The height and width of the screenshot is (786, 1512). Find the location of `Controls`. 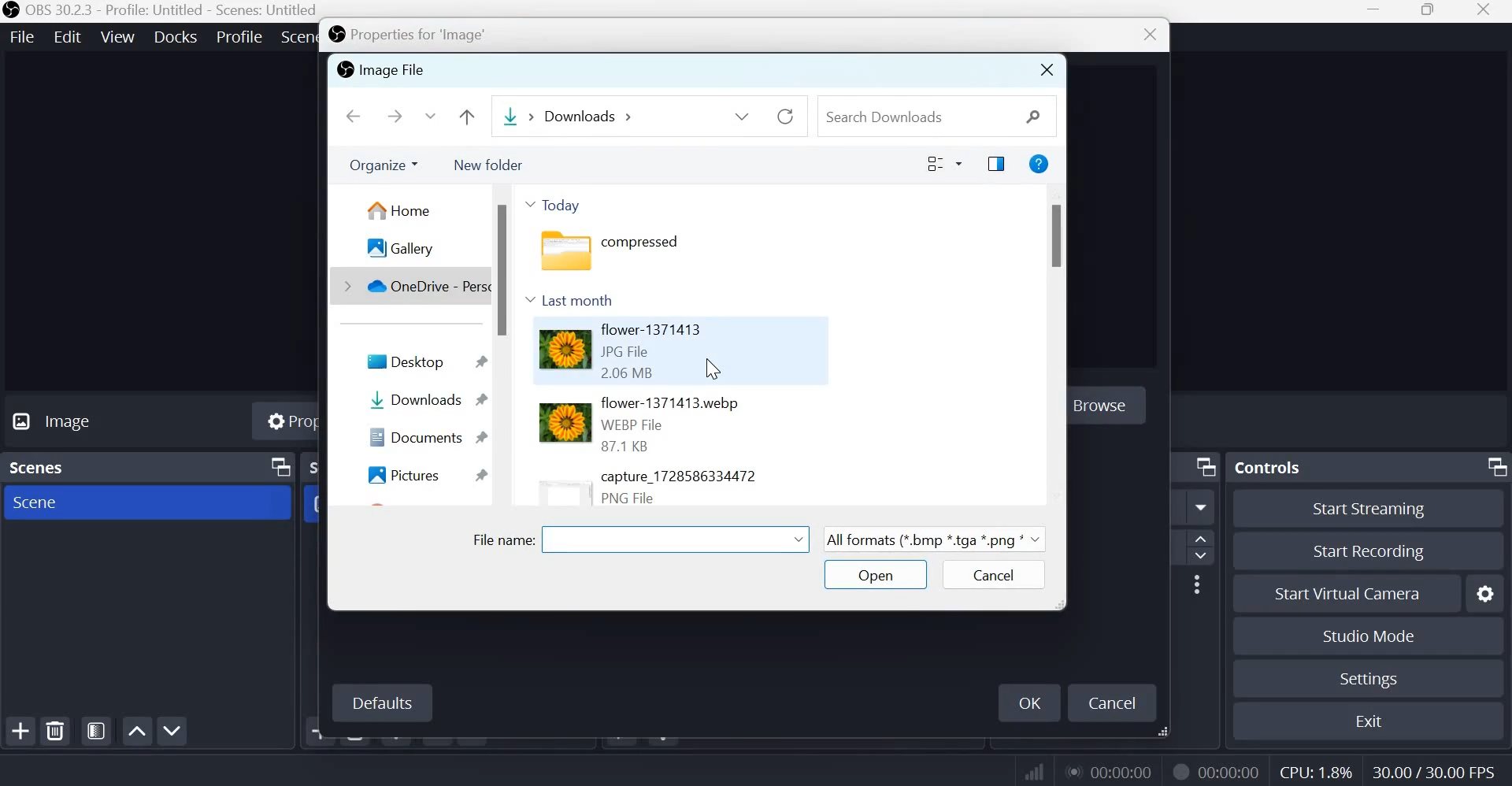

Controls is located at coordinates (1268, 466).